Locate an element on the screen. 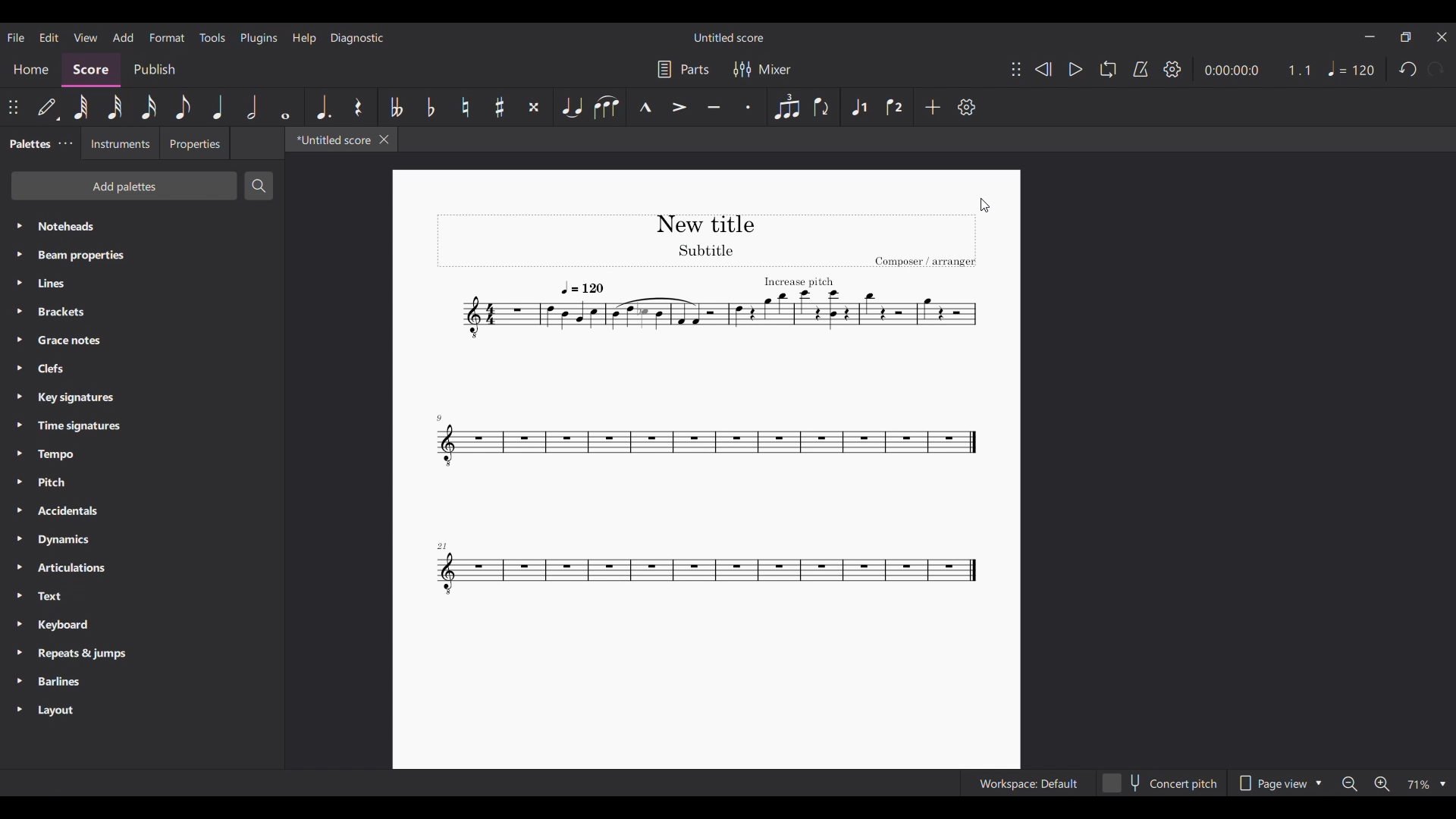 The height and width of the screenshot is (819, 1456). Time signatures is located at coordinates (142, 426).